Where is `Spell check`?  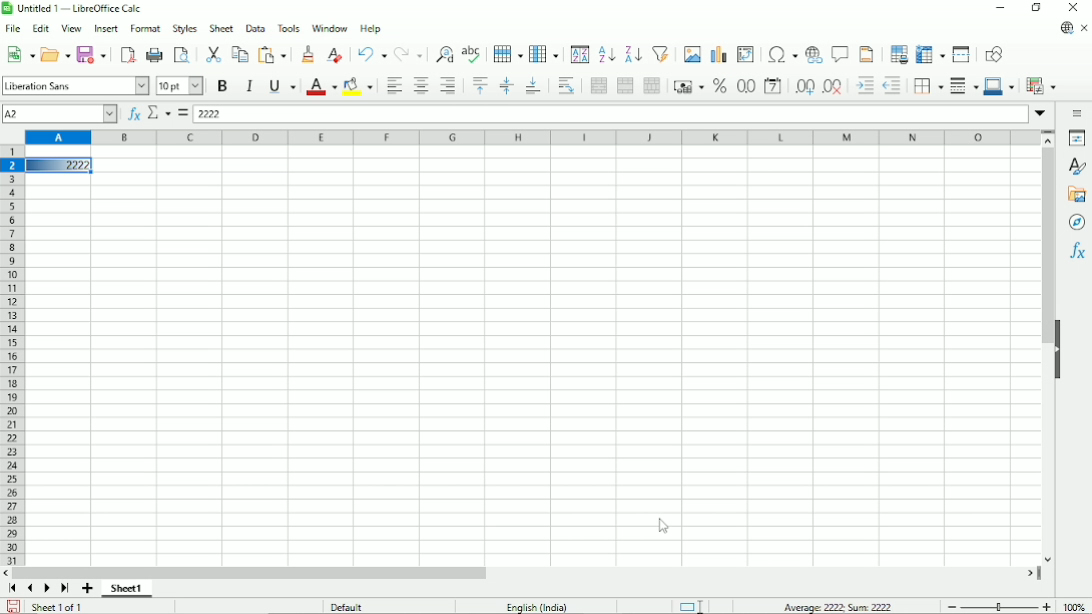 Spell check is located at coordinates (473, 53).